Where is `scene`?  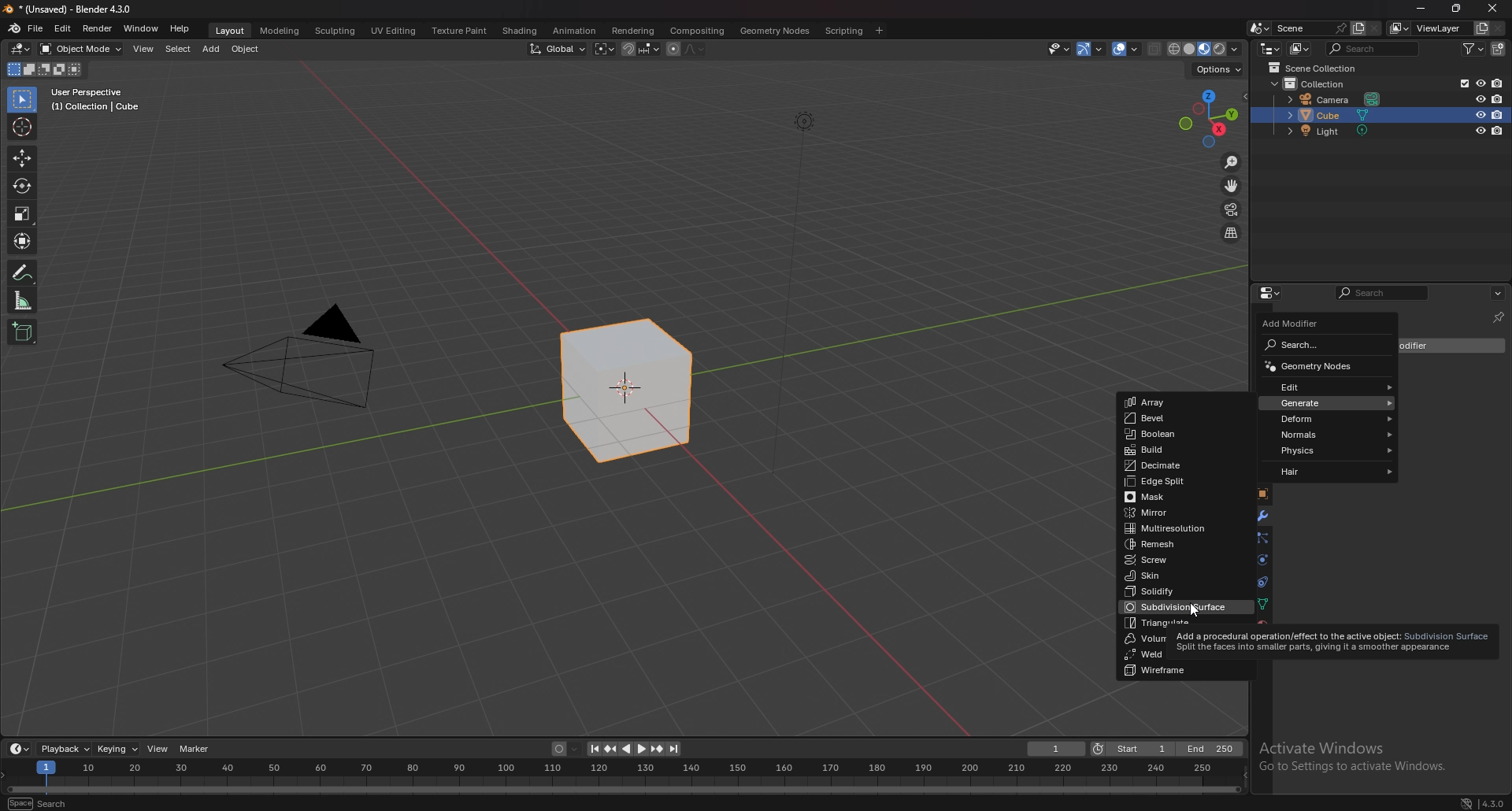
scene is located at coordinates (1309, 28).